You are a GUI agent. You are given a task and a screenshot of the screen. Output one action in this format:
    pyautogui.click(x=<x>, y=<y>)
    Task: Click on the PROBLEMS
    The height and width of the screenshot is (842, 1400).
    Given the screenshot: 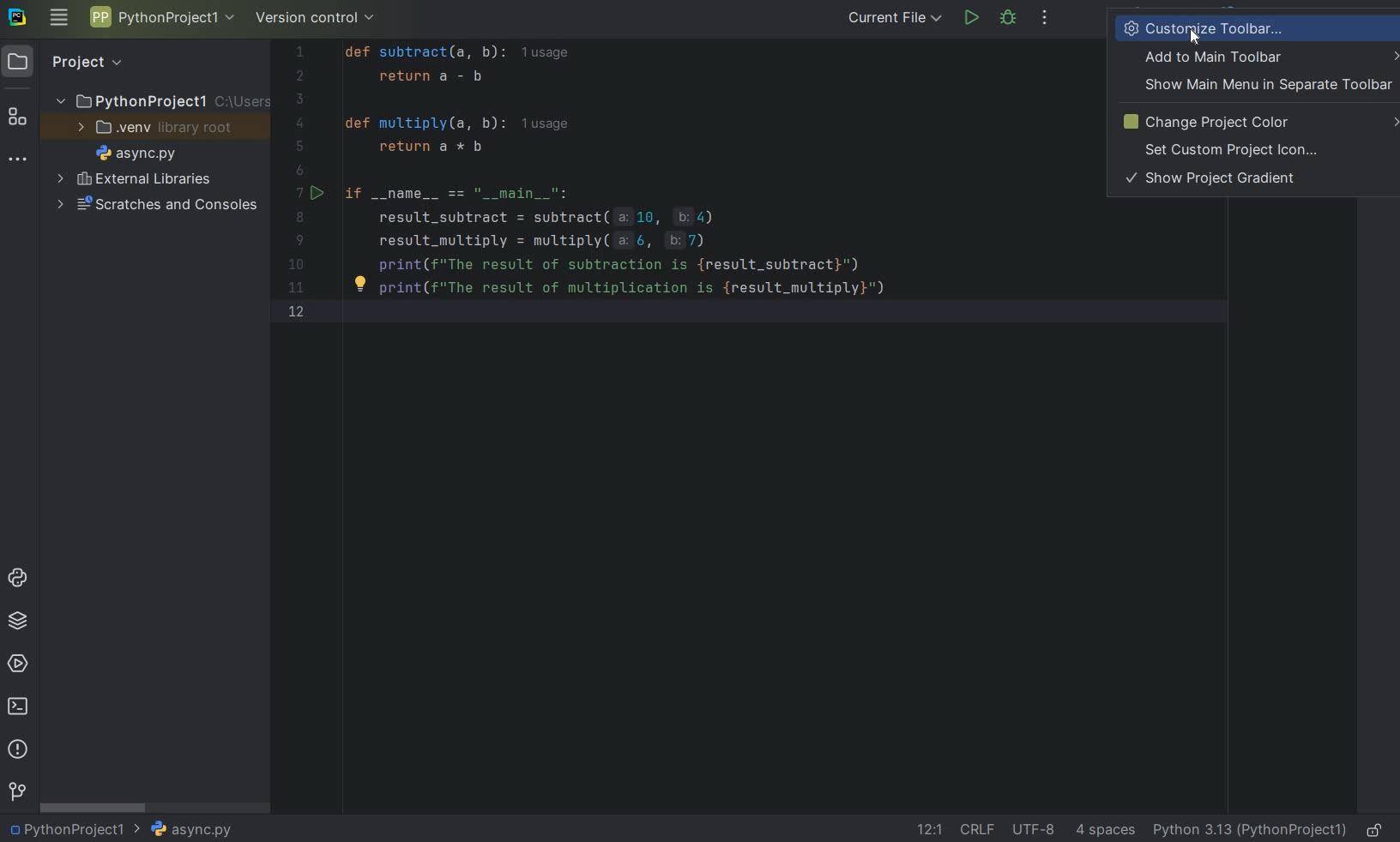 What is the action you would take?
    pyautogui.click(x=20, y=751)
    